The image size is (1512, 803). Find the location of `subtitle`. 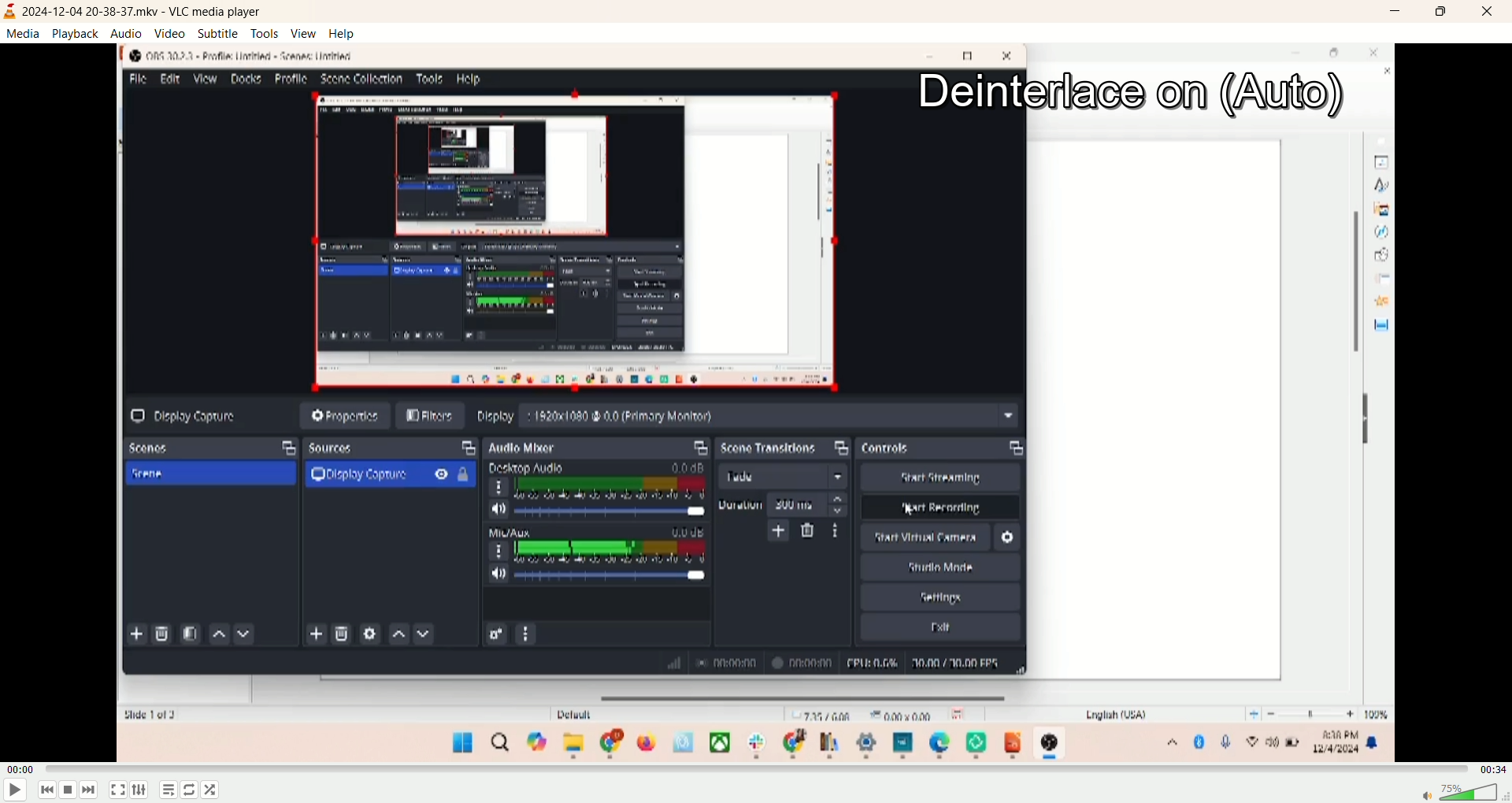

subtitle is located at coordinates (215, 33).